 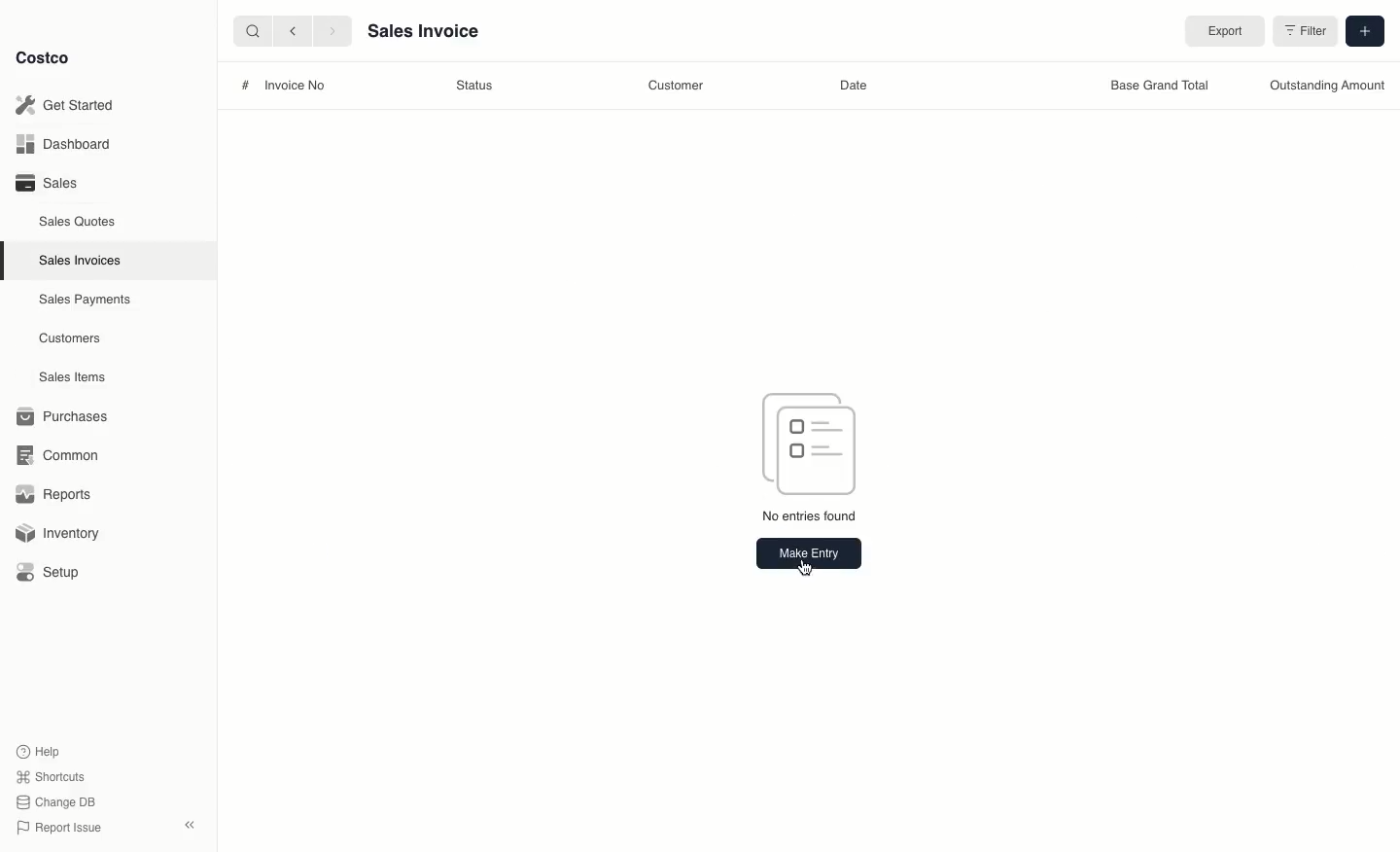 What do you see at coordinates (60, 145) in the screenshot?
I see `Dashboard` at bounding box center [60, 145].